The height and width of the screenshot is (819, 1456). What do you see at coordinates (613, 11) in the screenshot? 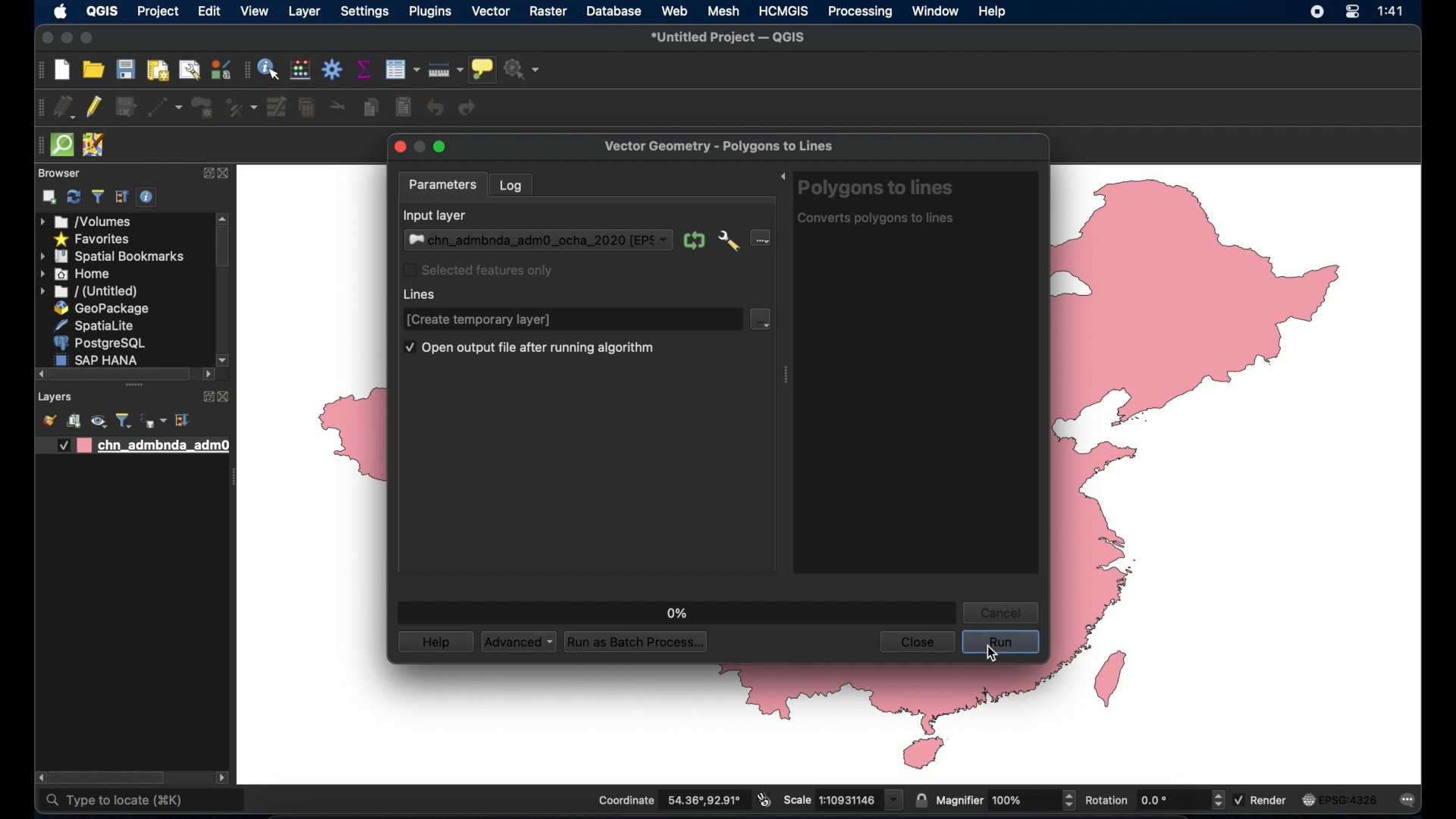
I see `database` at bounding box center [613, 11].